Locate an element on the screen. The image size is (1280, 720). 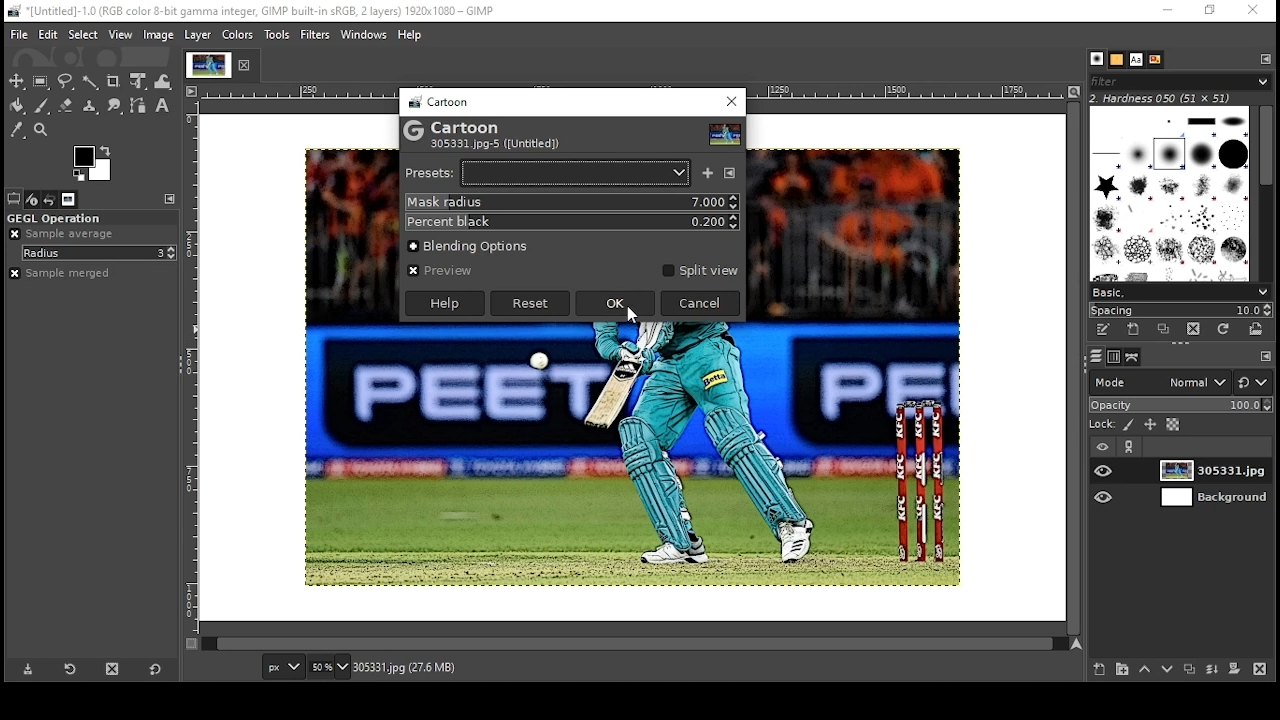
lock pixels is located at coordinates (1128, 425).